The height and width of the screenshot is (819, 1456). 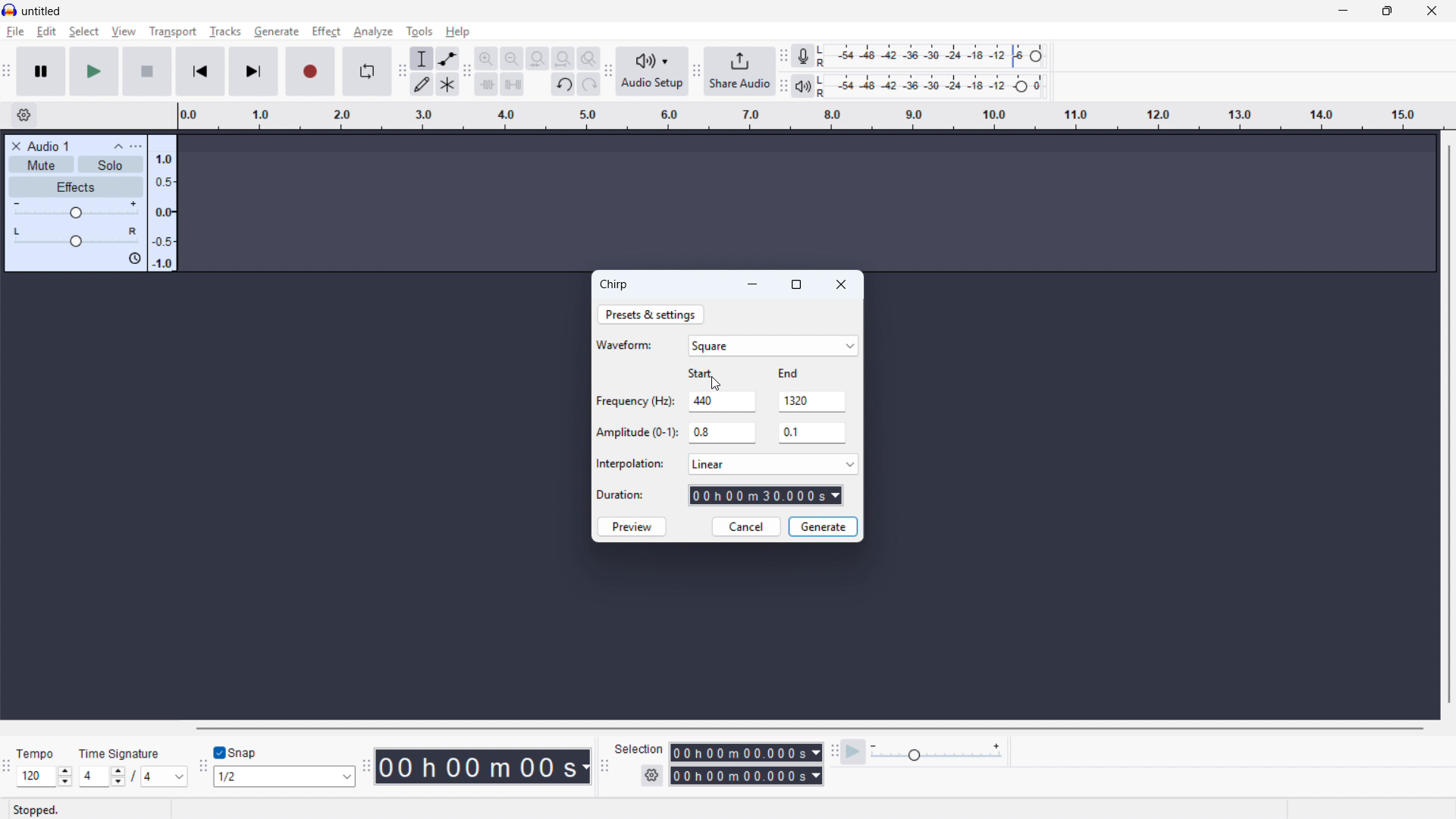 I want to click on Sync lock on , so click(x=134, y=259).